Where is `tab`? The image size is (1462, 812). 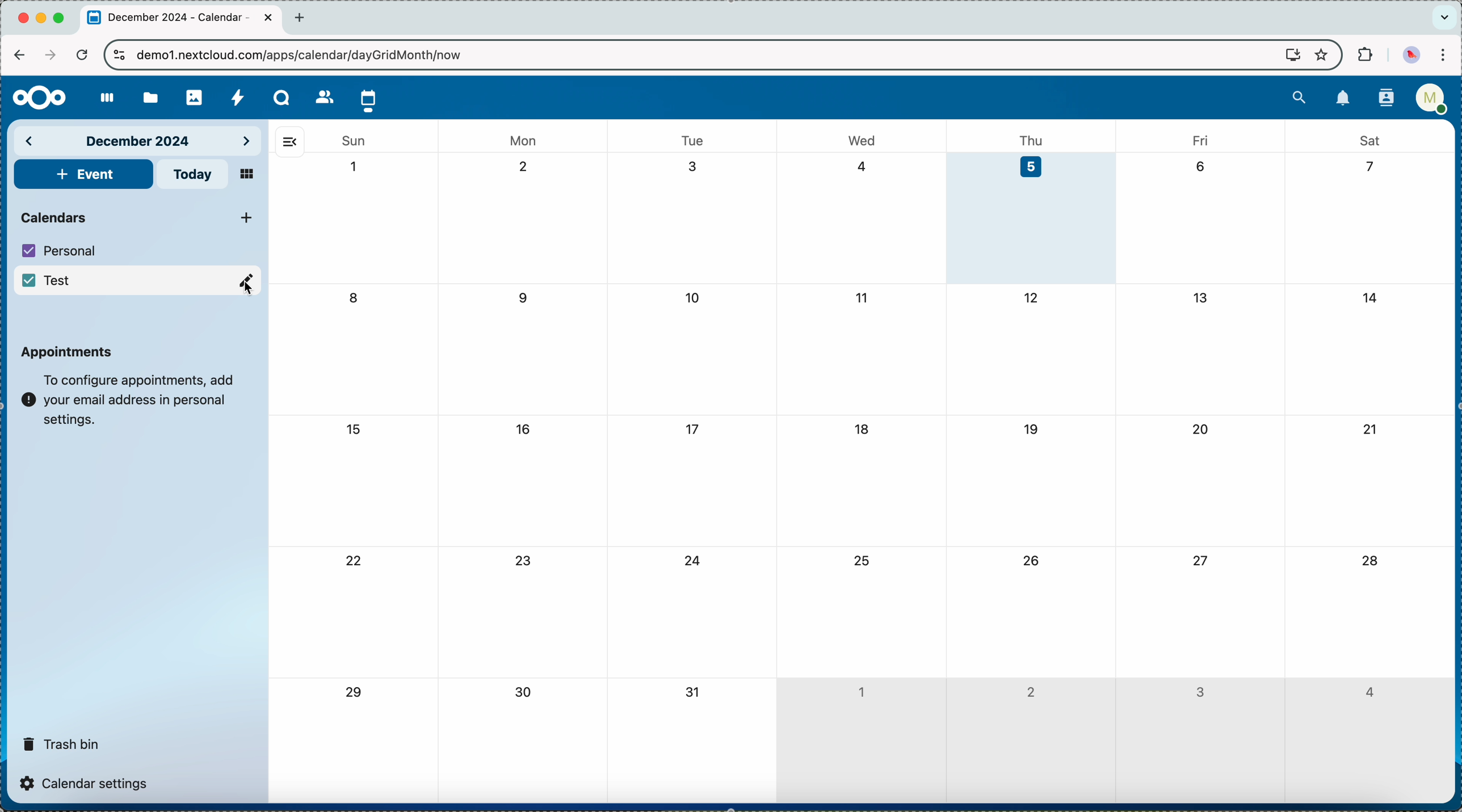 tab is located at coordinates (182, 19).